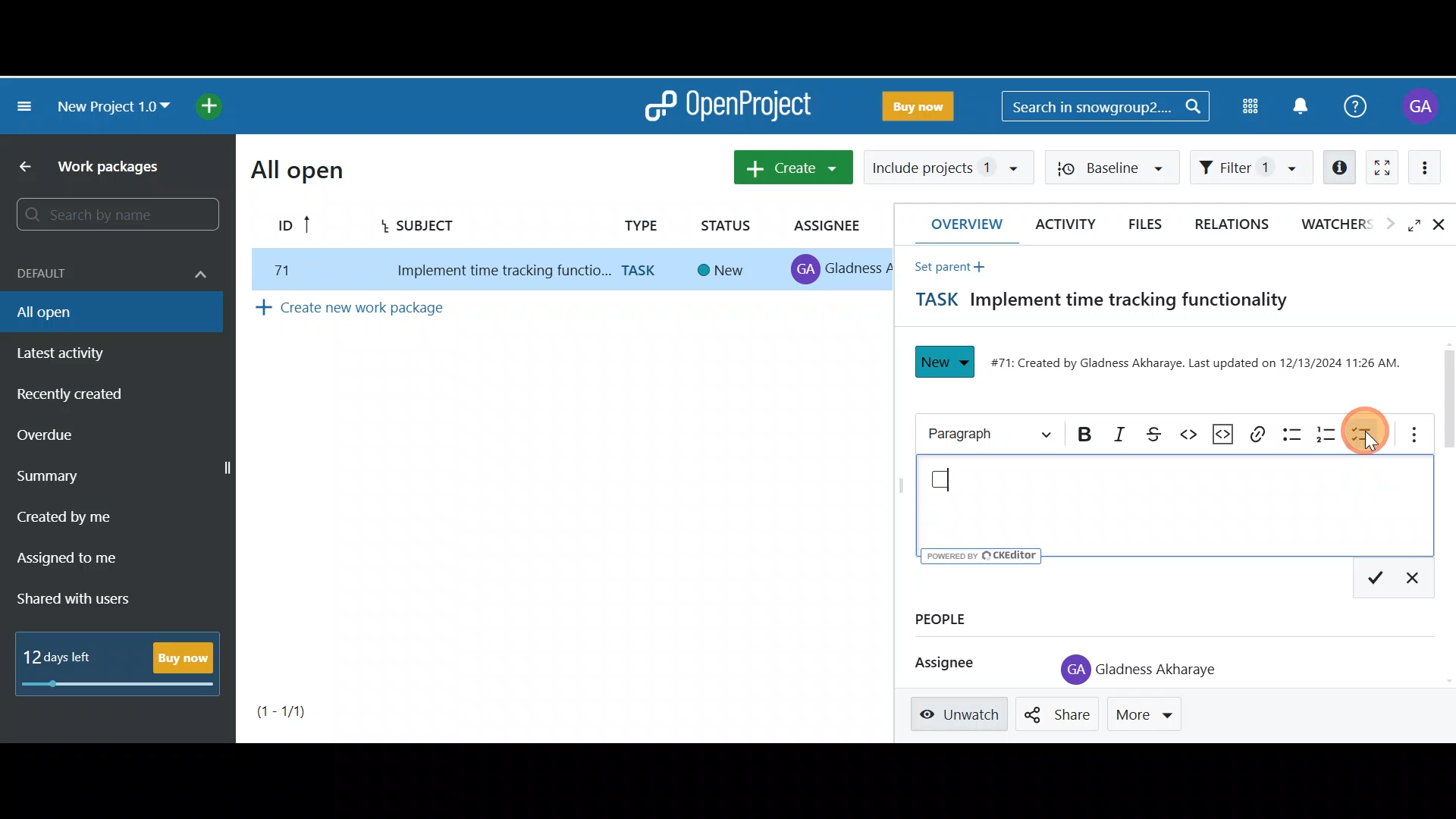 The width and height of the screenshot is (1456, 819). I want to click on Overview, so click(960, 224).